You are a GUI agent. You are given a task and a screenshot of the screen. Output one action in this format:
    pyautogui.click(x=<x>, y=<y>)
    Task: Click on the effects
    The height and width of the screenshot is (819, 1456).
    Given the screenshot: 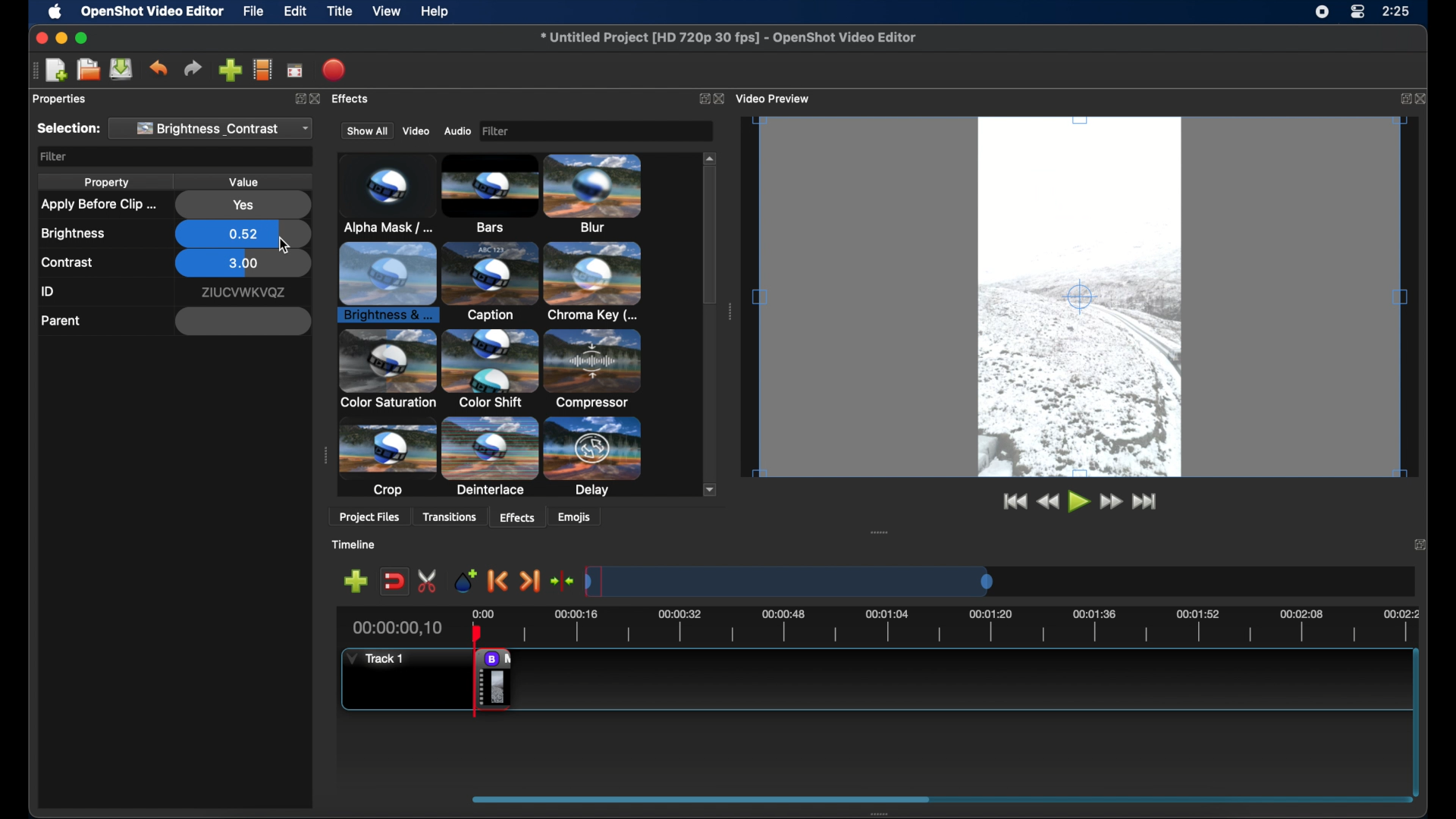 What is the action you would take?
    pyautogui.click(x=356, y=101)
    